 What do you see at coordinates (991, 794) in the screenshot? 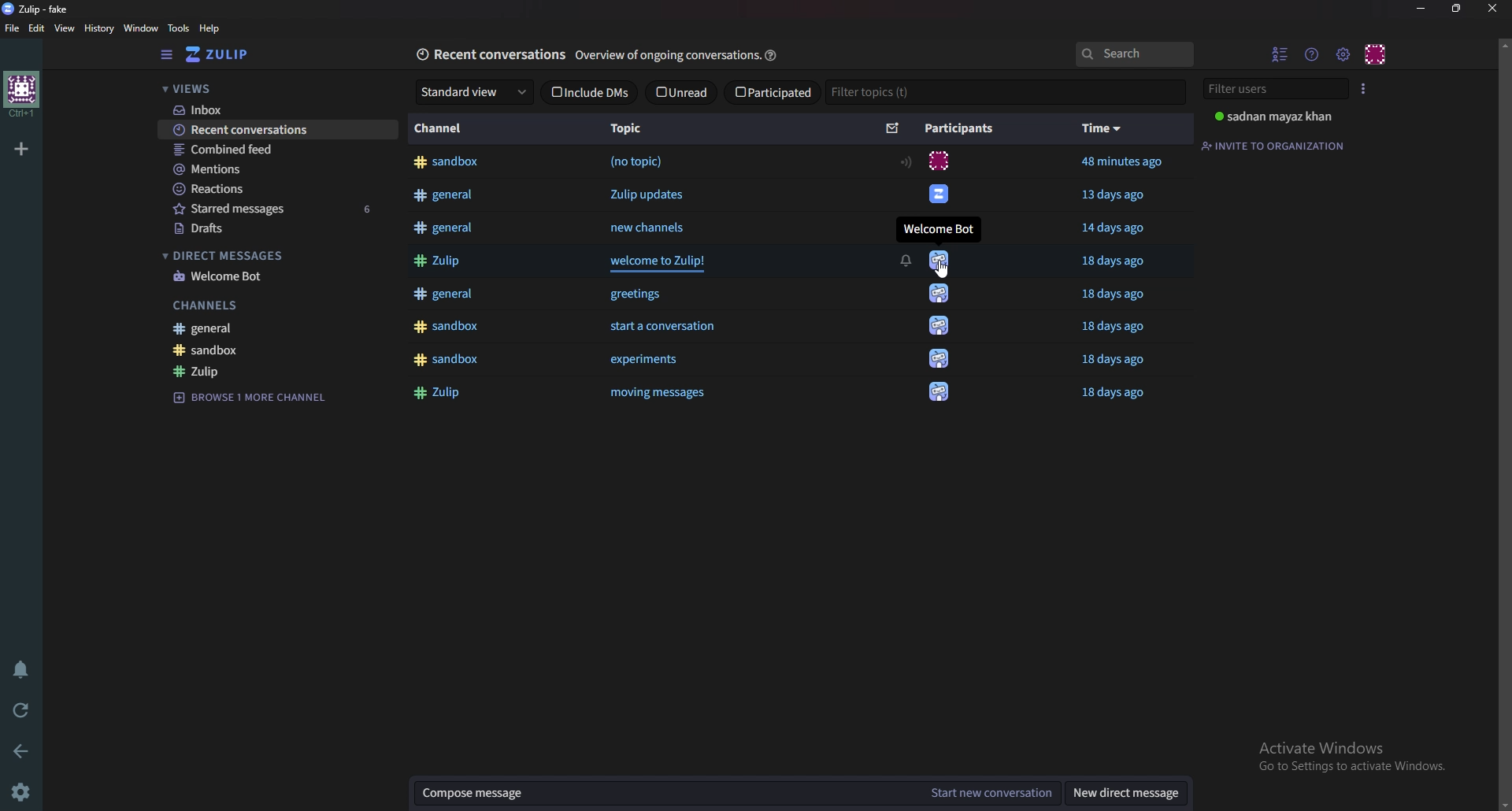
I see `Start new conversation` at bounding box center [991, 794].